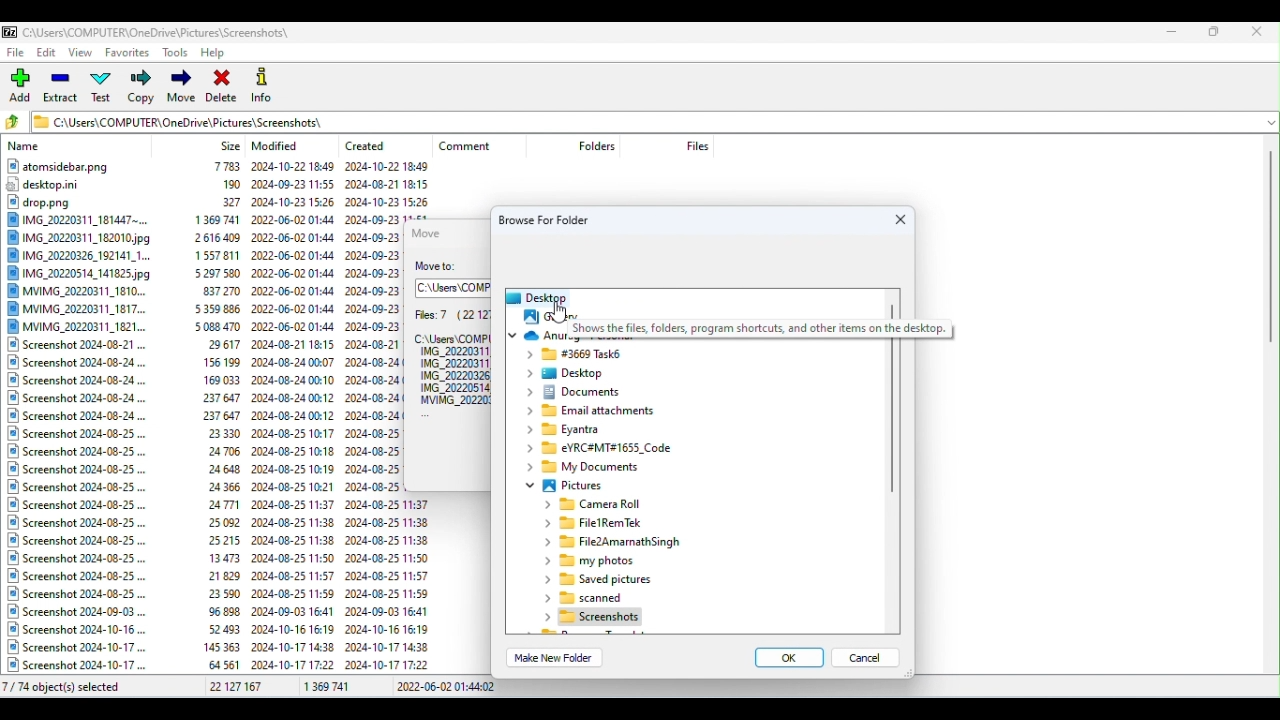  I want to click on Folder, so click(598, 448).